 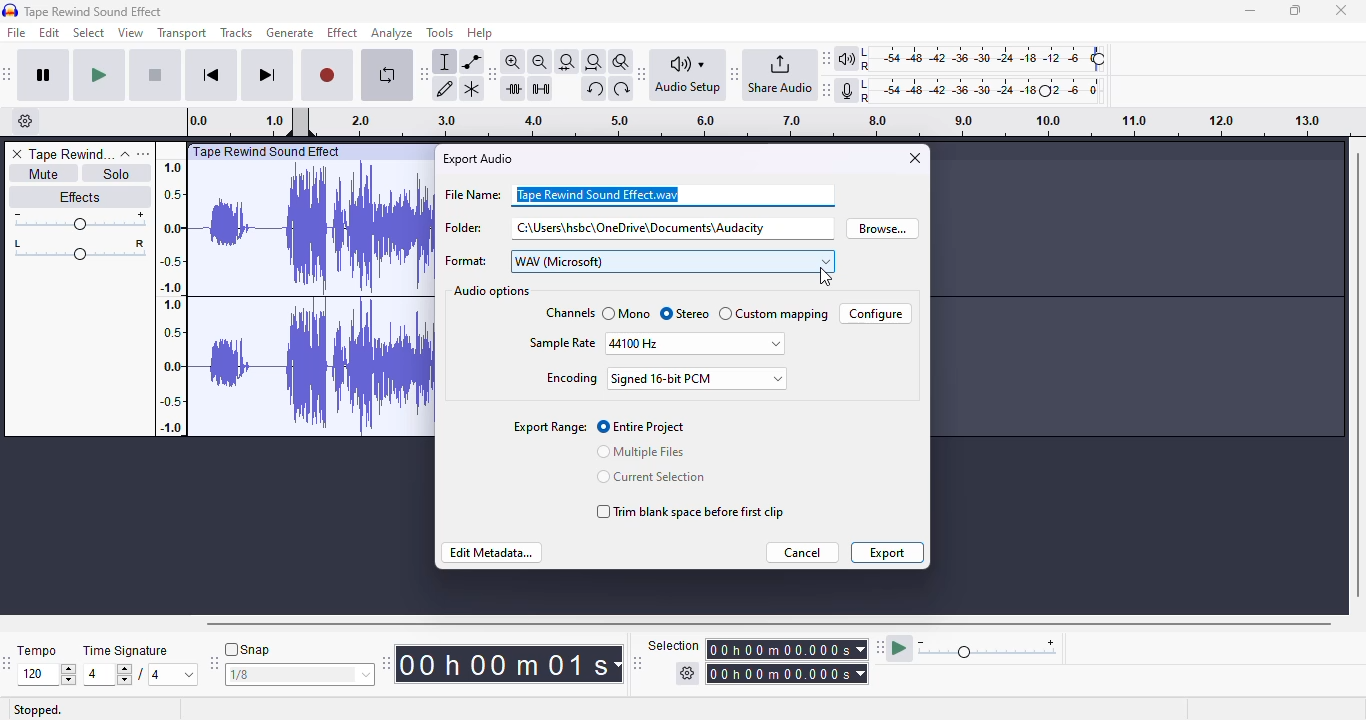 I want to click on skip to start, so click(x=213, y=75).